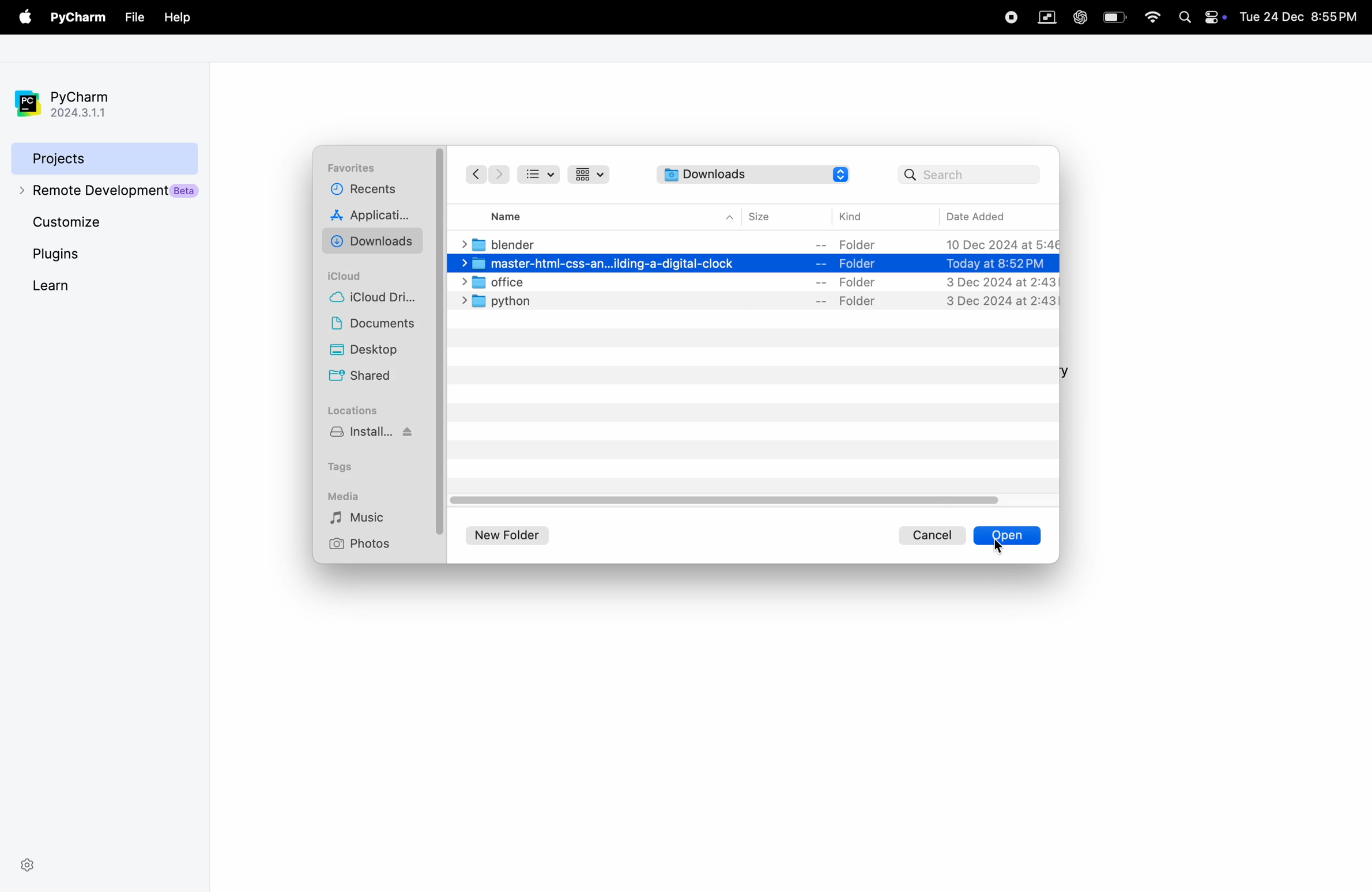 The width and height of the screenshot is (1372, 892). Describe the element at coordinates (350, 275) in the screenshot. I see `icloud` at that location.